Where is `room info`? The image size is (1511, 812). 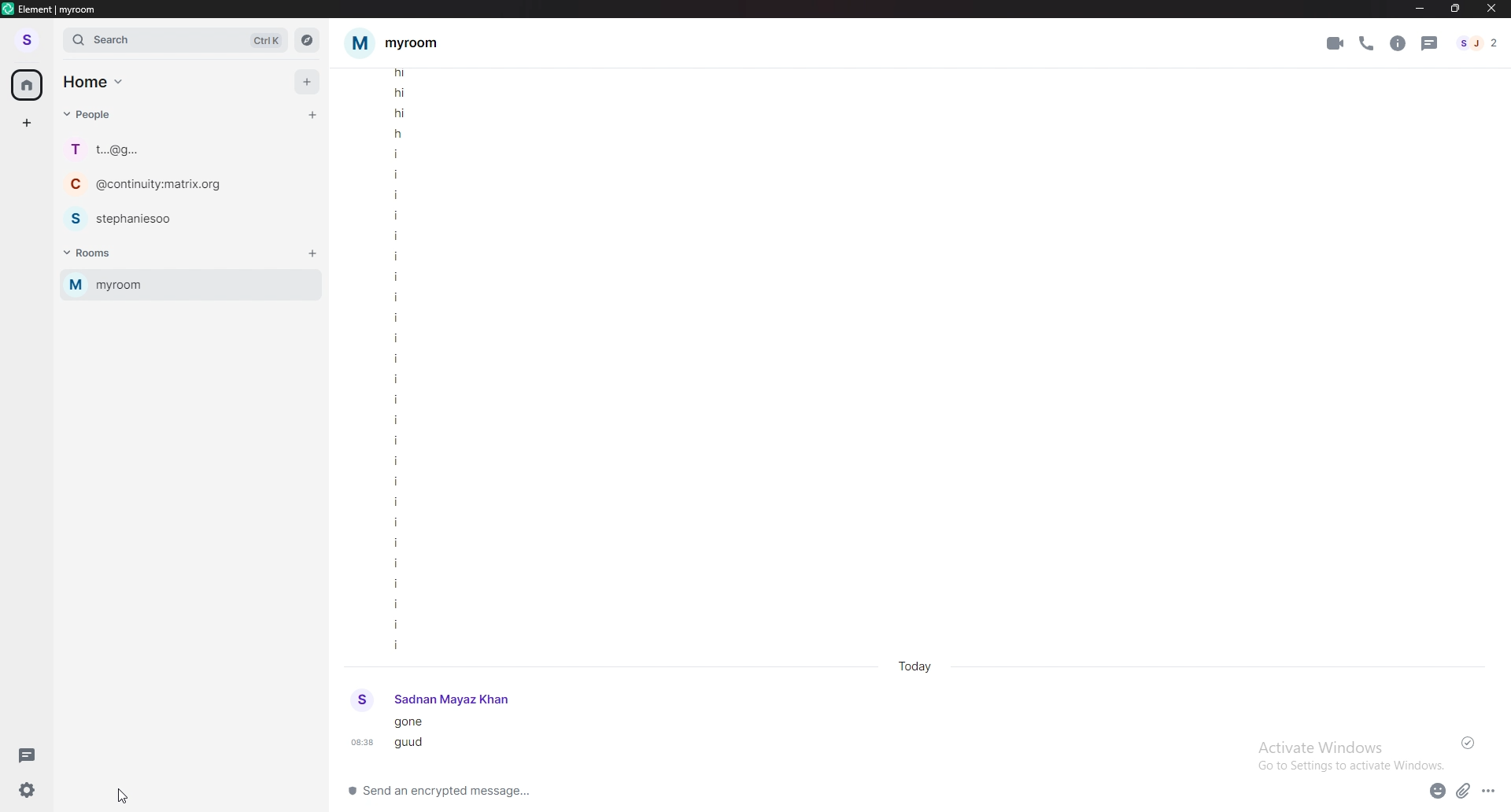 room info is located at coordinates (1400, 42).